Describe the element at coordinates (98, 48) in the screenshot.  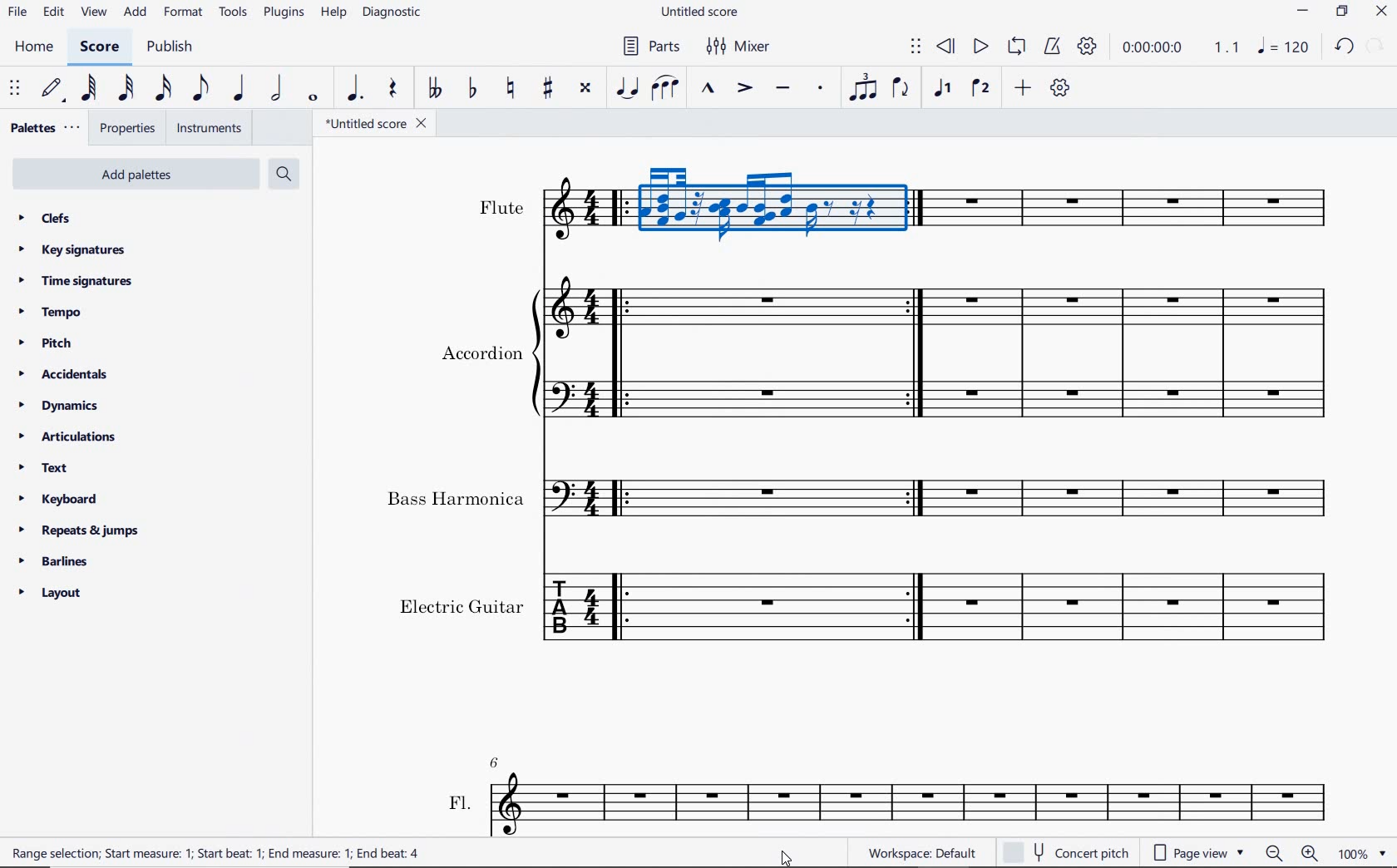
I see `score` at that location.